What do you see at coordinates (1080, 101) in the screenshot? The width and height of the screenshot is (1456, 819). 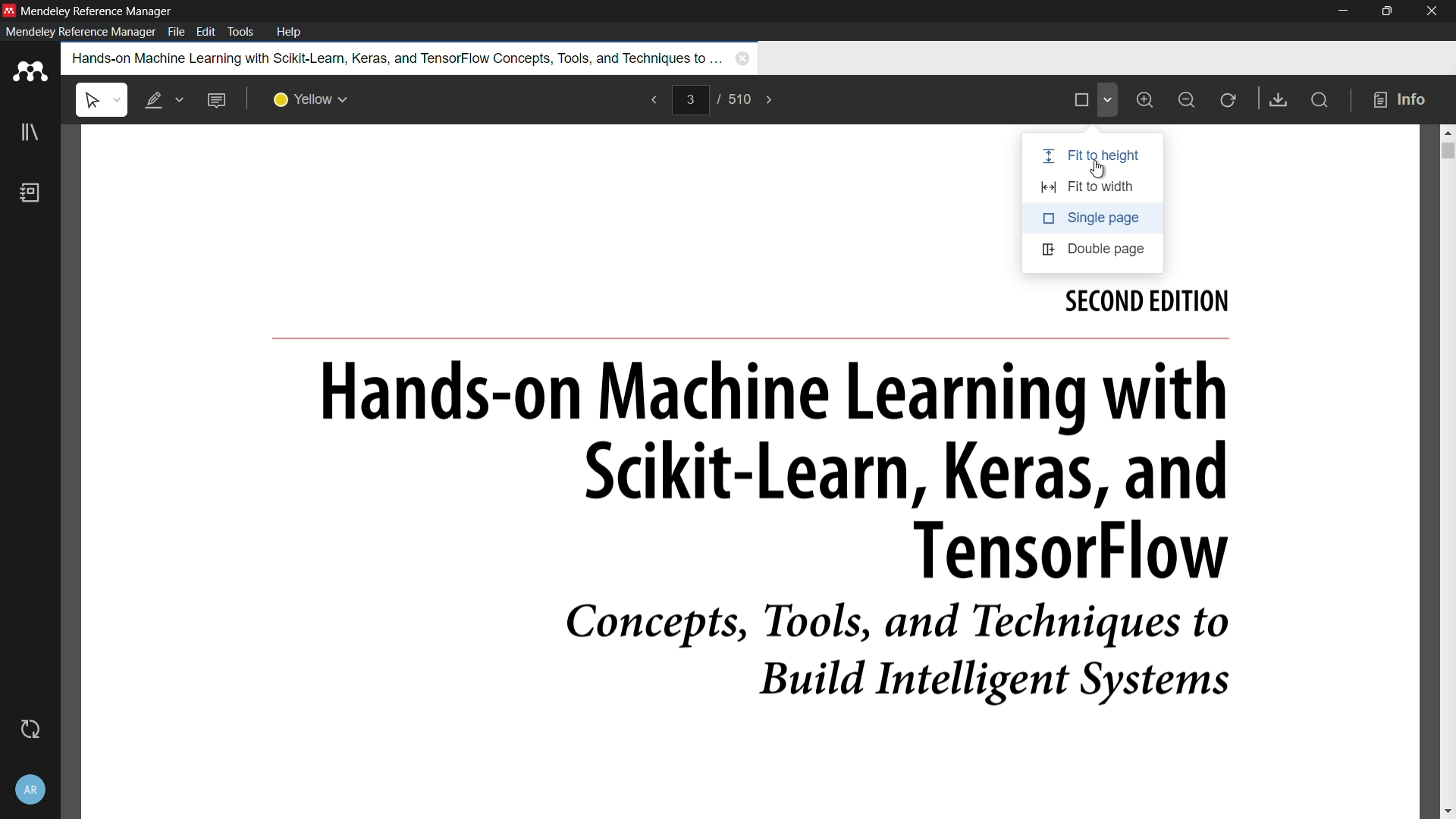 I see `current mode` at bounding box center [1080, 101].